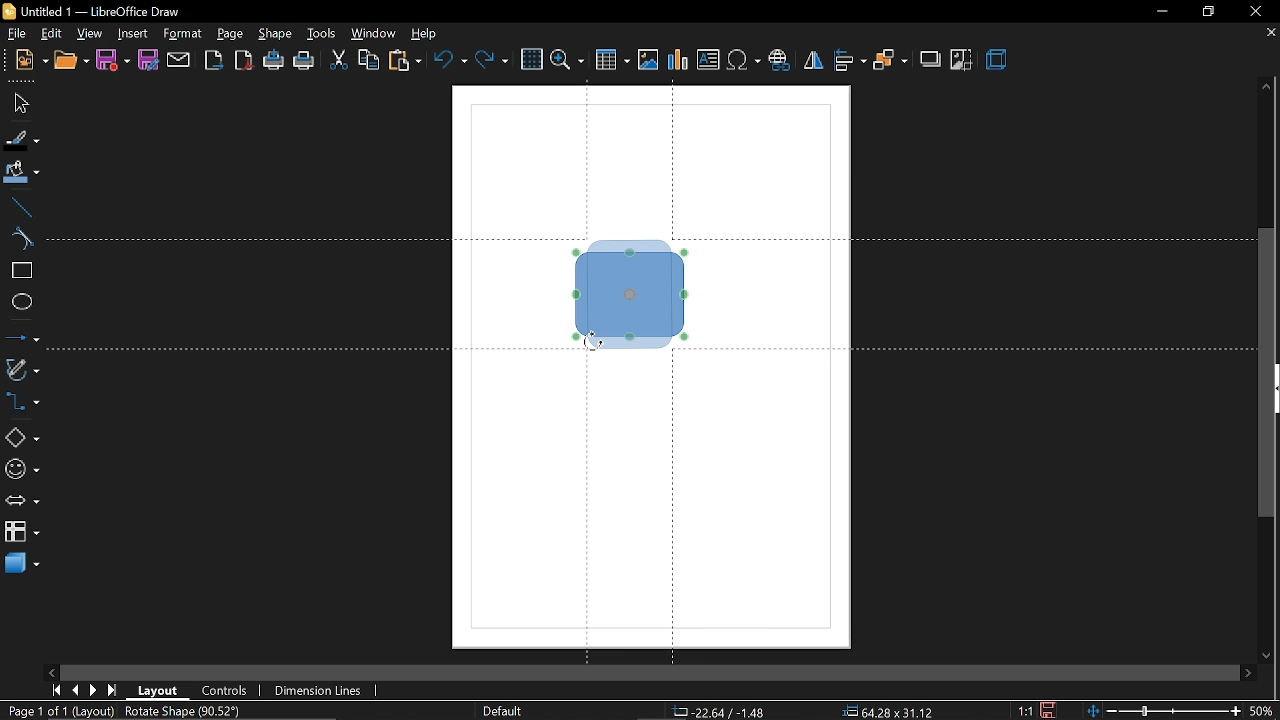  I want to click on 3d shapes, so click(22, 564).